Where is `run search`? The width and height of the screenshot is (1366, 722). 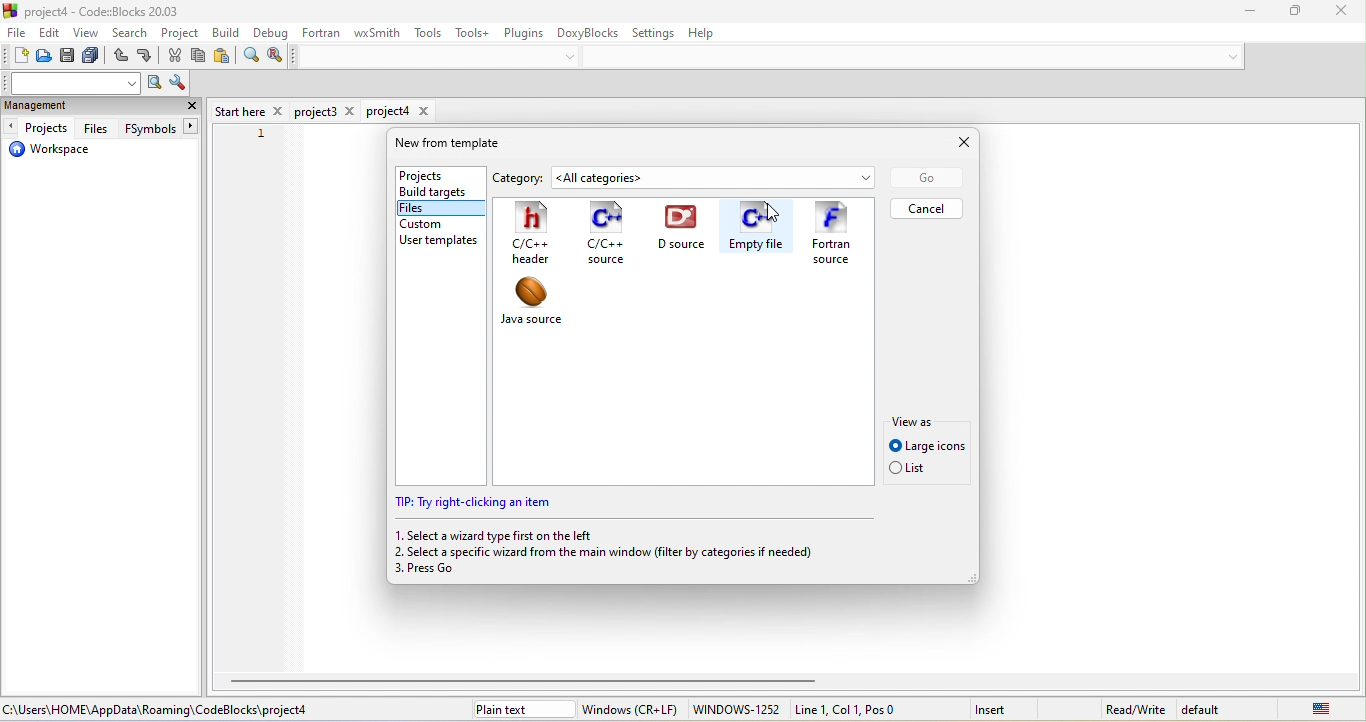
run search is located at coordinates (154, 84).